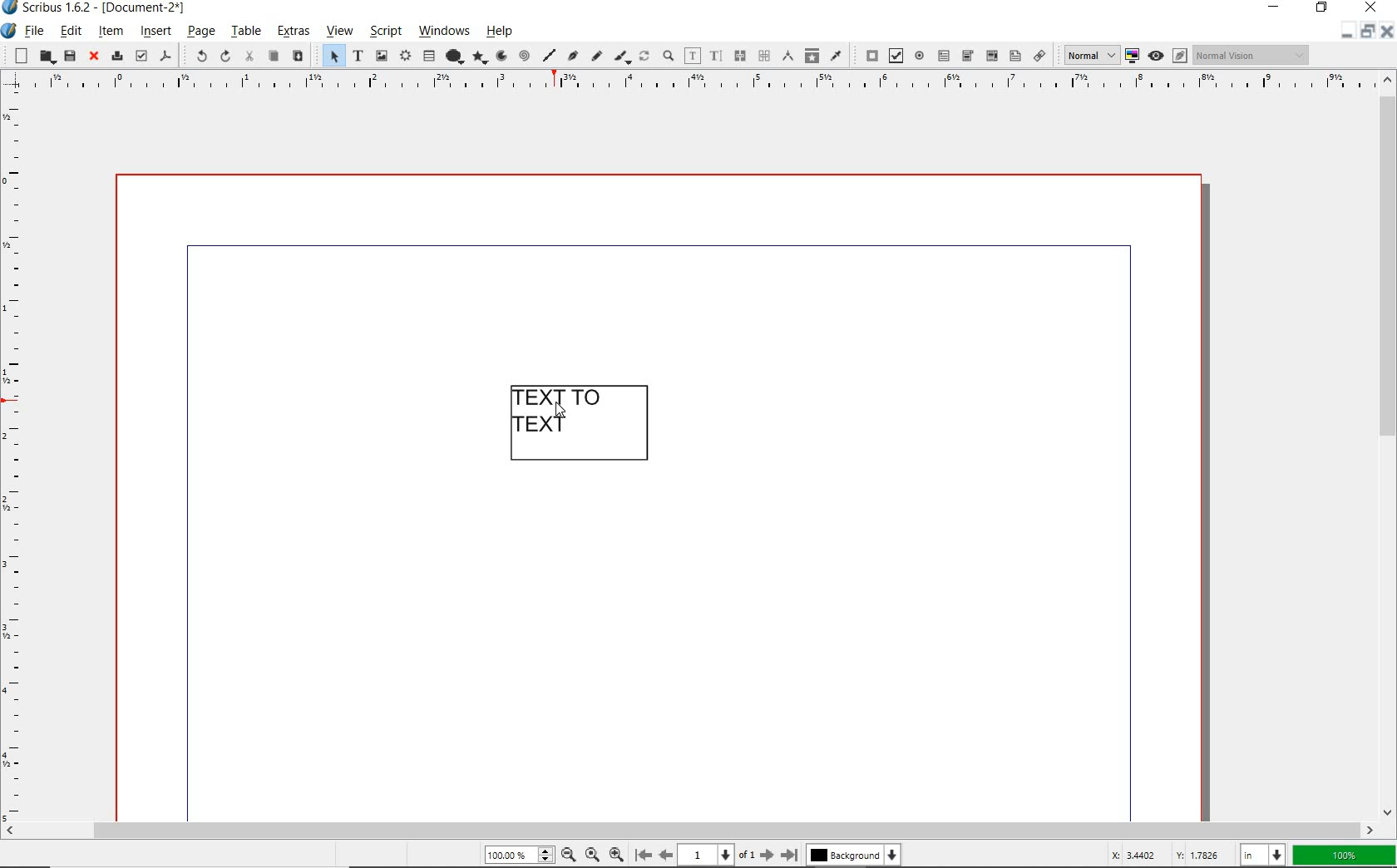  What do you see at coordinates (501, 57) in the screenshot?
I see `arc` at bounding box center [501, 57].